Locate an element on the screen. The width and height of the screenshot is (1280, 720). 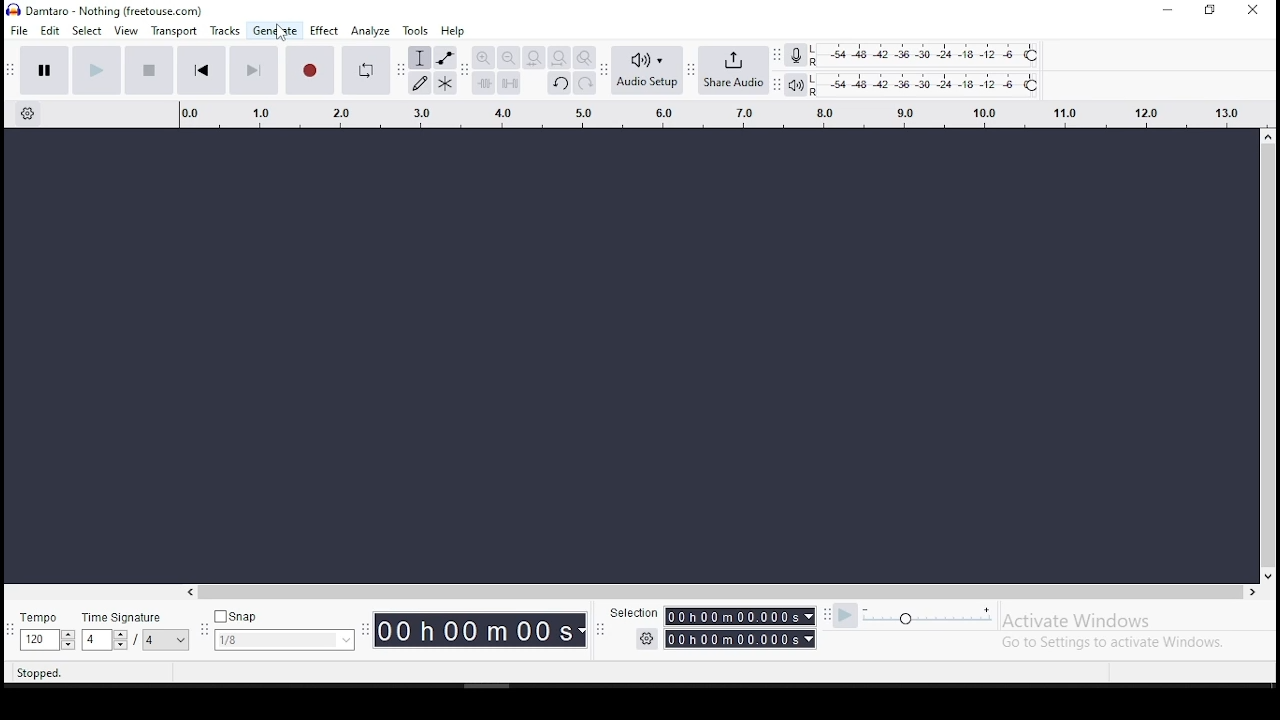
Timer with settings is located at coordinates (721, 643).